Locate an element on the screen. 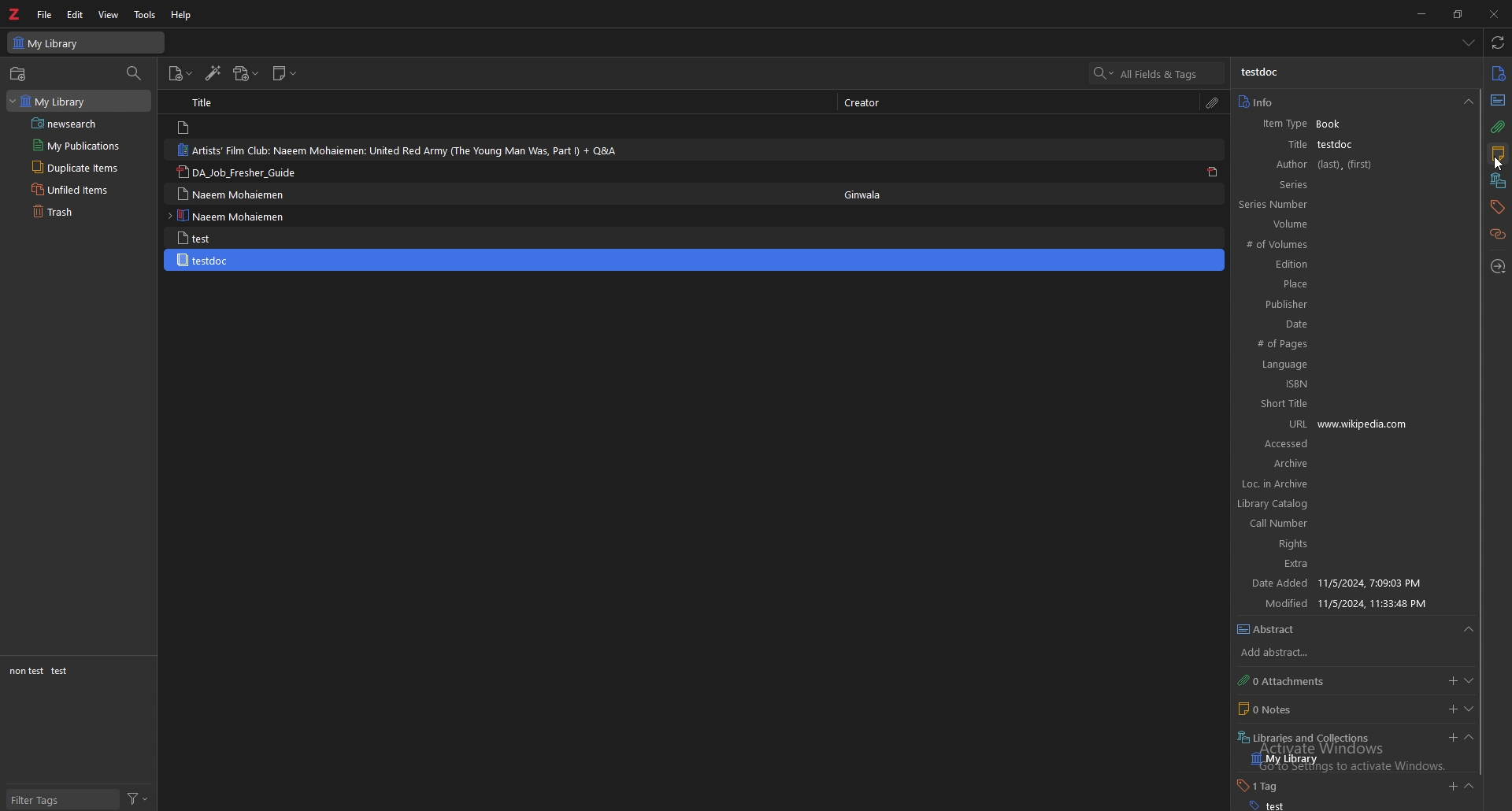  minimize is located at coordinates (1419, 13).